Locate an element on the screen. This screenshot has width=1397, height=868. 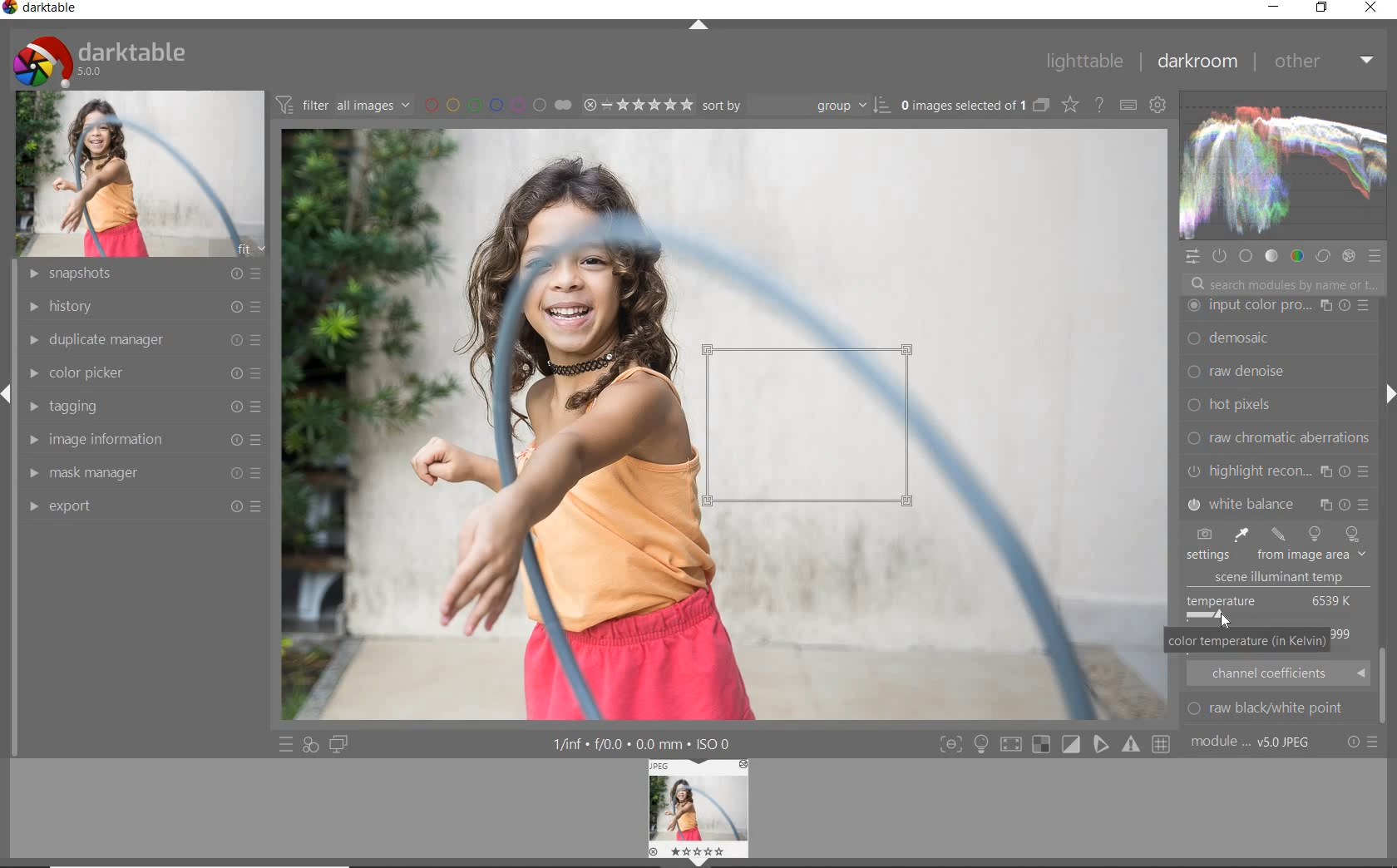
image is located at coordinates (142, 172).